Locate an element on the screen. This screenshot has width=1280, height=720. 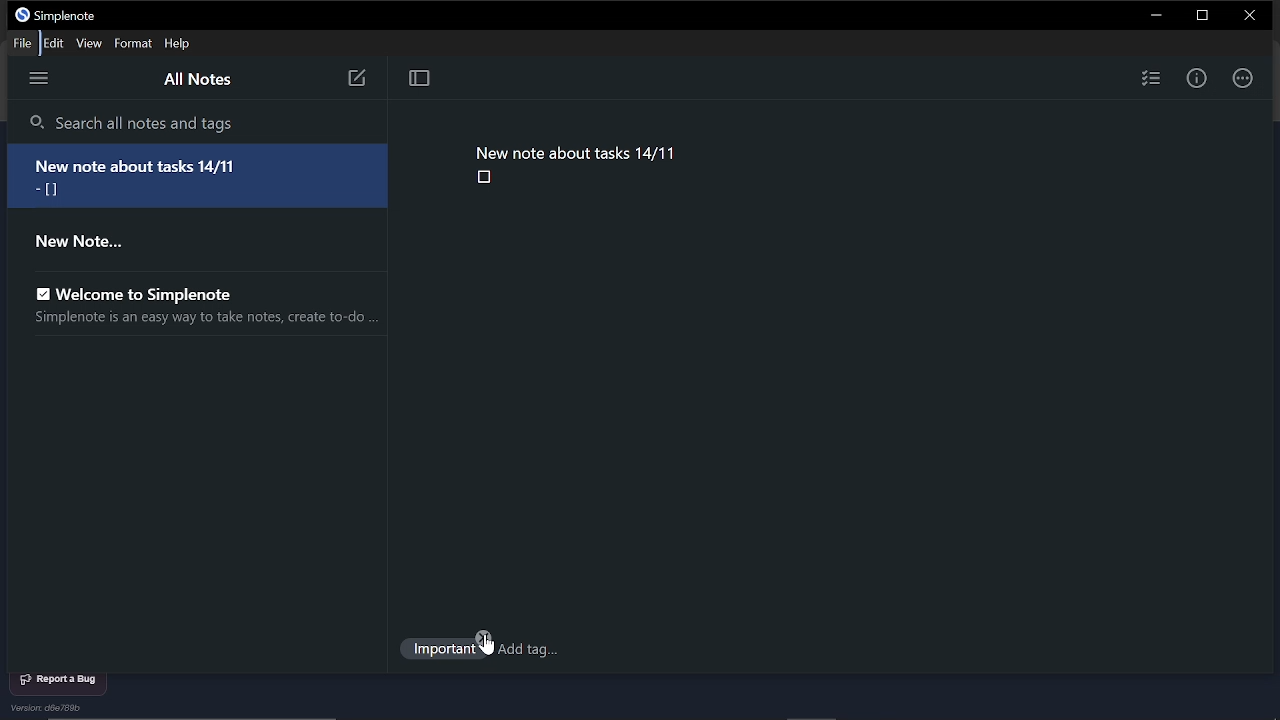
Close  is located at coordinates (1253, 17).